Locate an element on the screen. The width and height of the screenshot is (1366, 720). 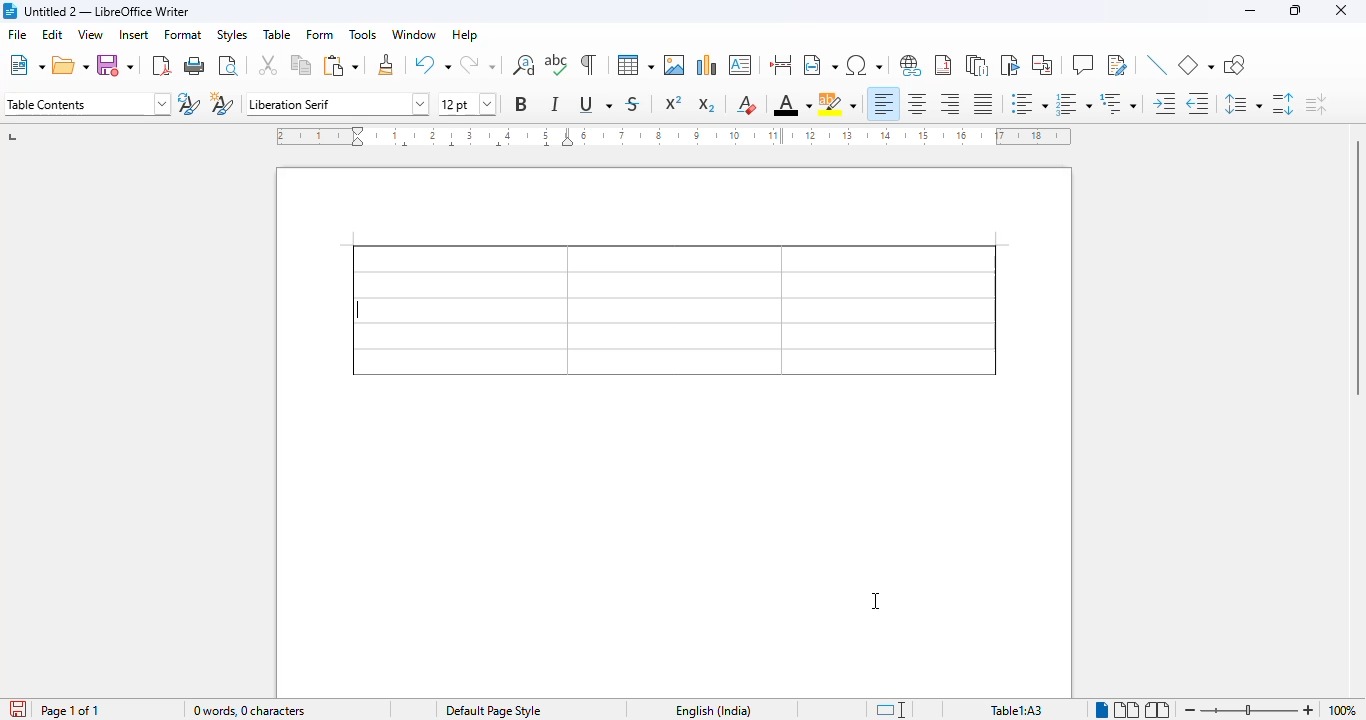
vertical scroll bar is located at coordinates (1354, 265).